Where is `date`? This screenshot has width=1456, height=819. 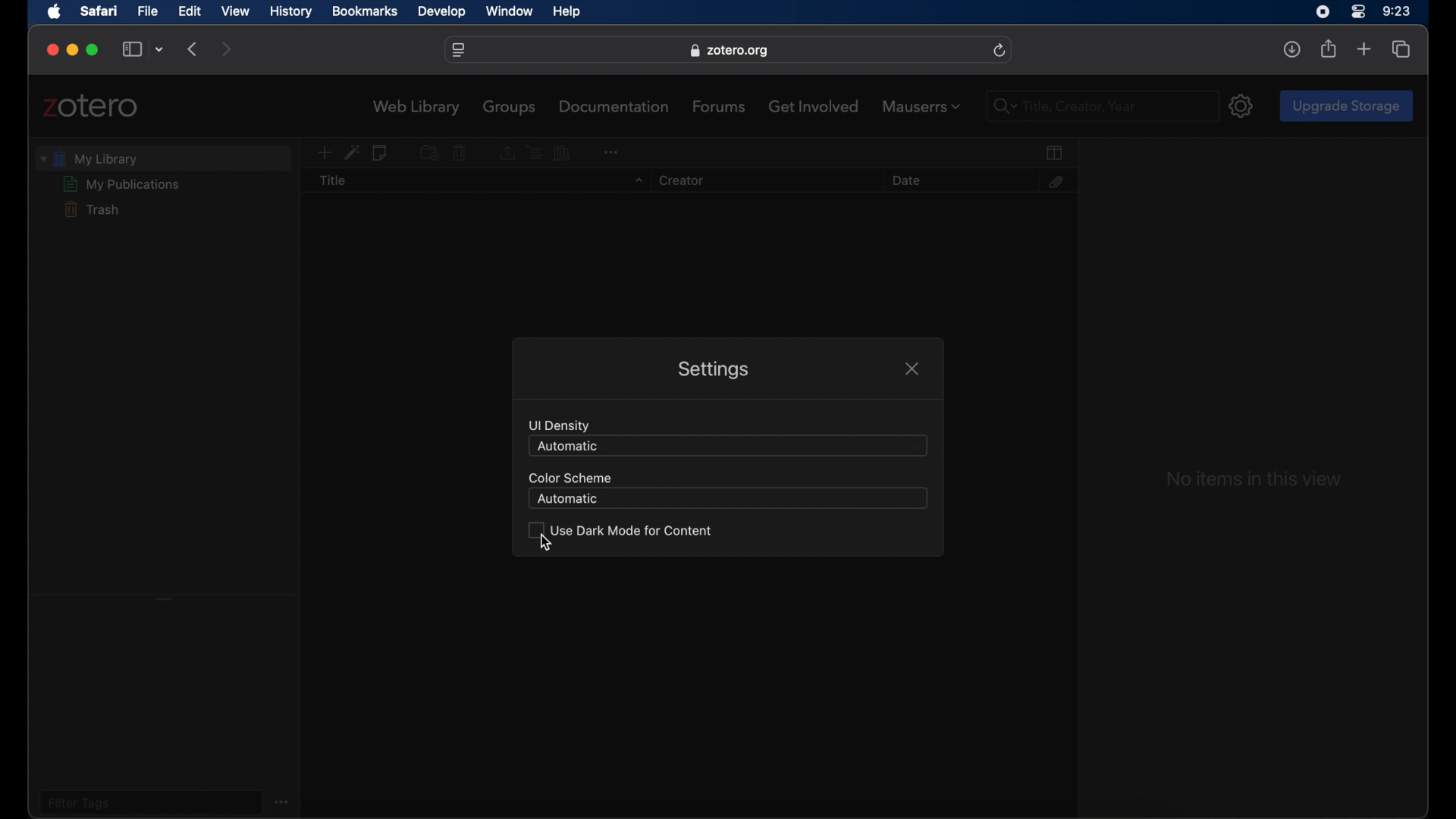
date is located at coordinates (905, 180).